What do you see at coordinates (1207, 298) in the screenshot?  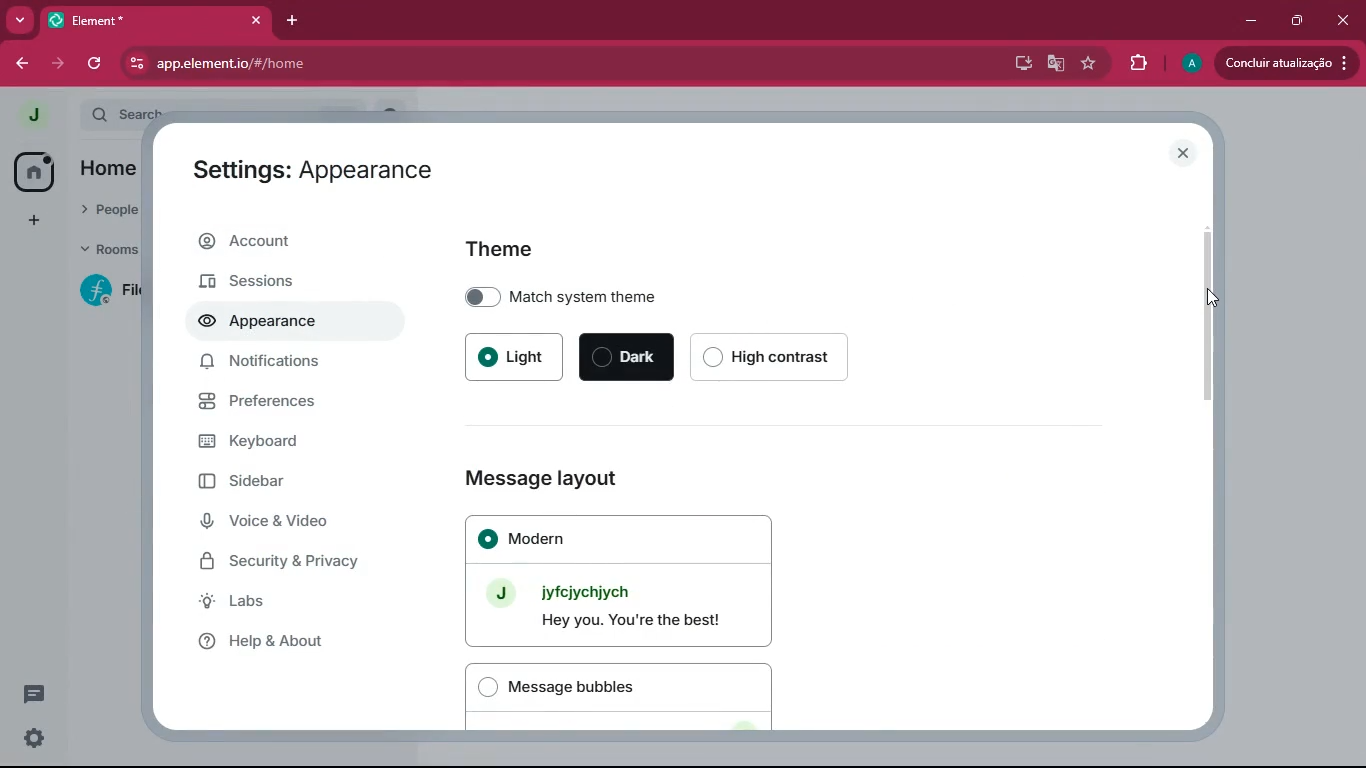 I see `Cursor` at bounding box center [1207, 298].